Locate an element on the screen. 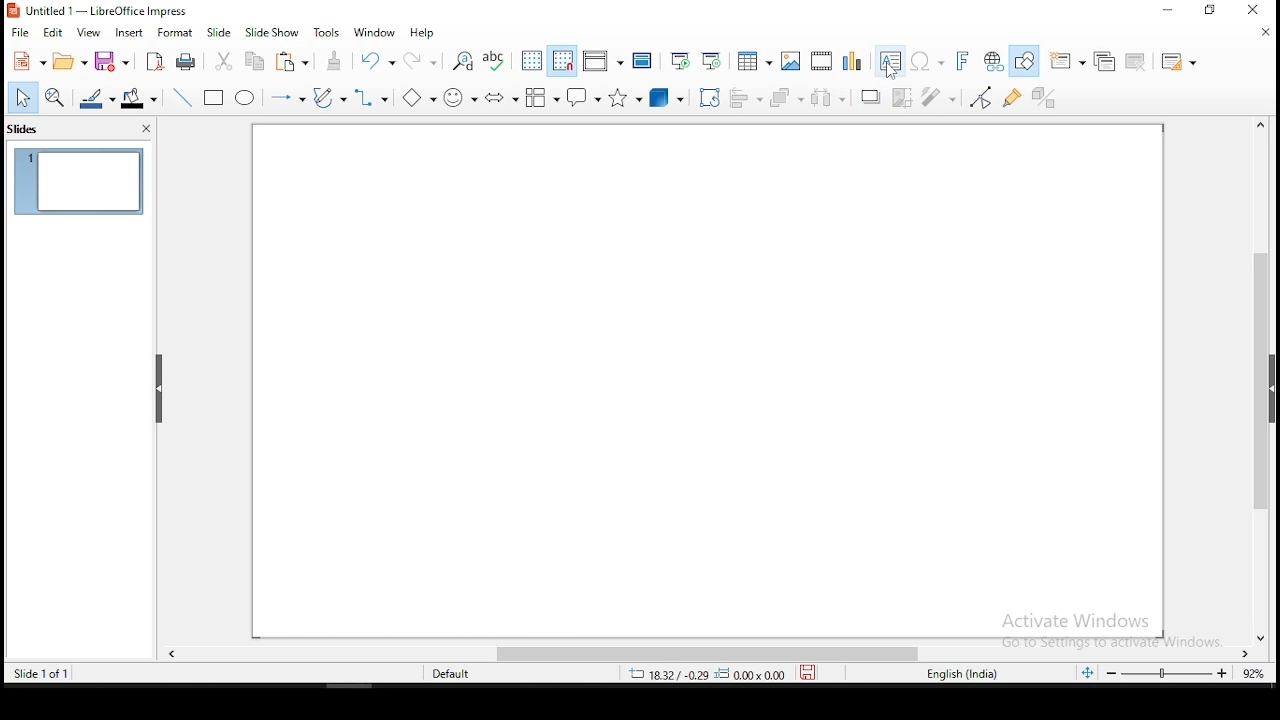 The width and height of the screenshot is (1280, 720). charts is located at coordinates (853, 60).